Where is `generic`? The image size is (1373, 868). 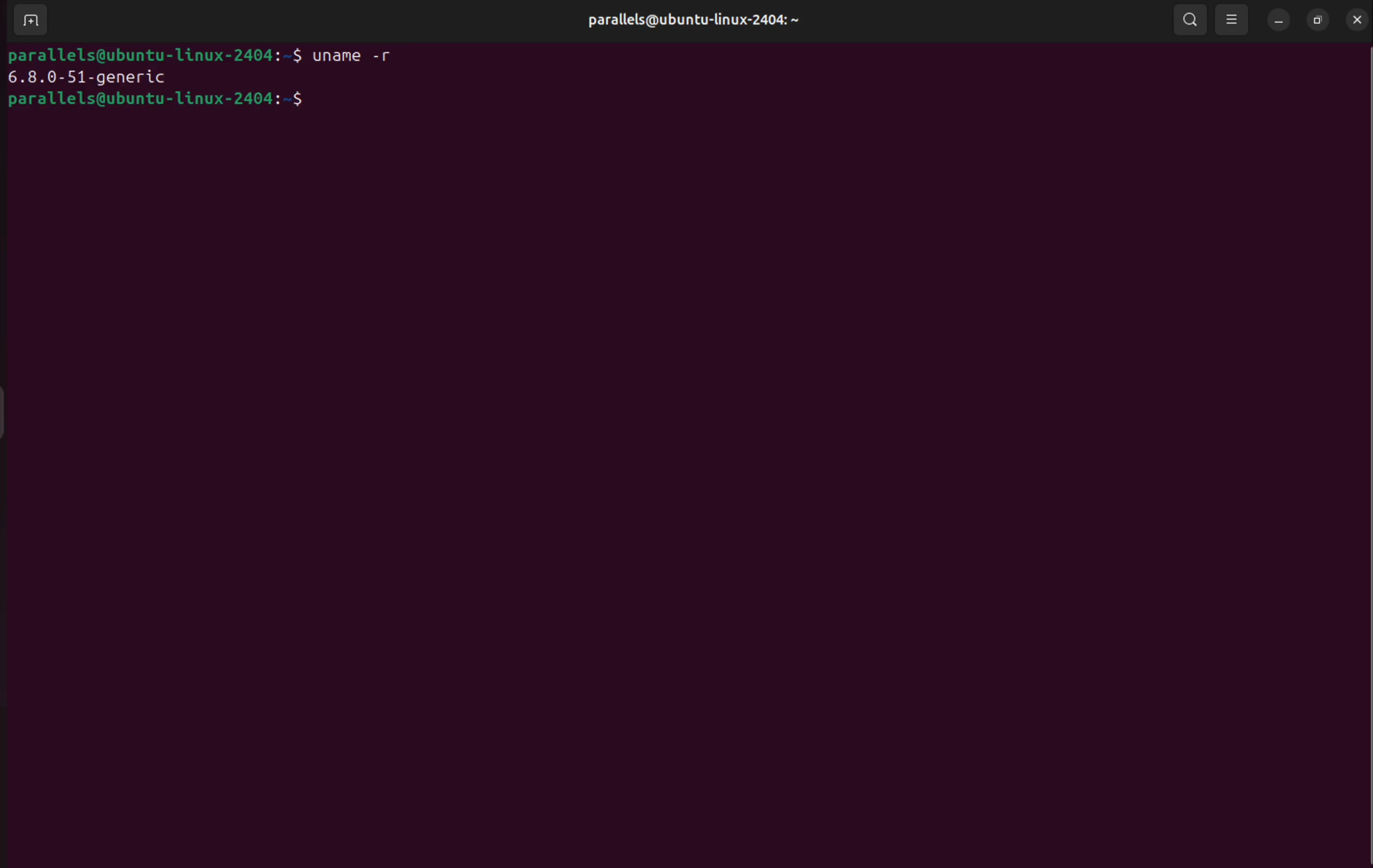 generic is located at coordinates (143, 77).